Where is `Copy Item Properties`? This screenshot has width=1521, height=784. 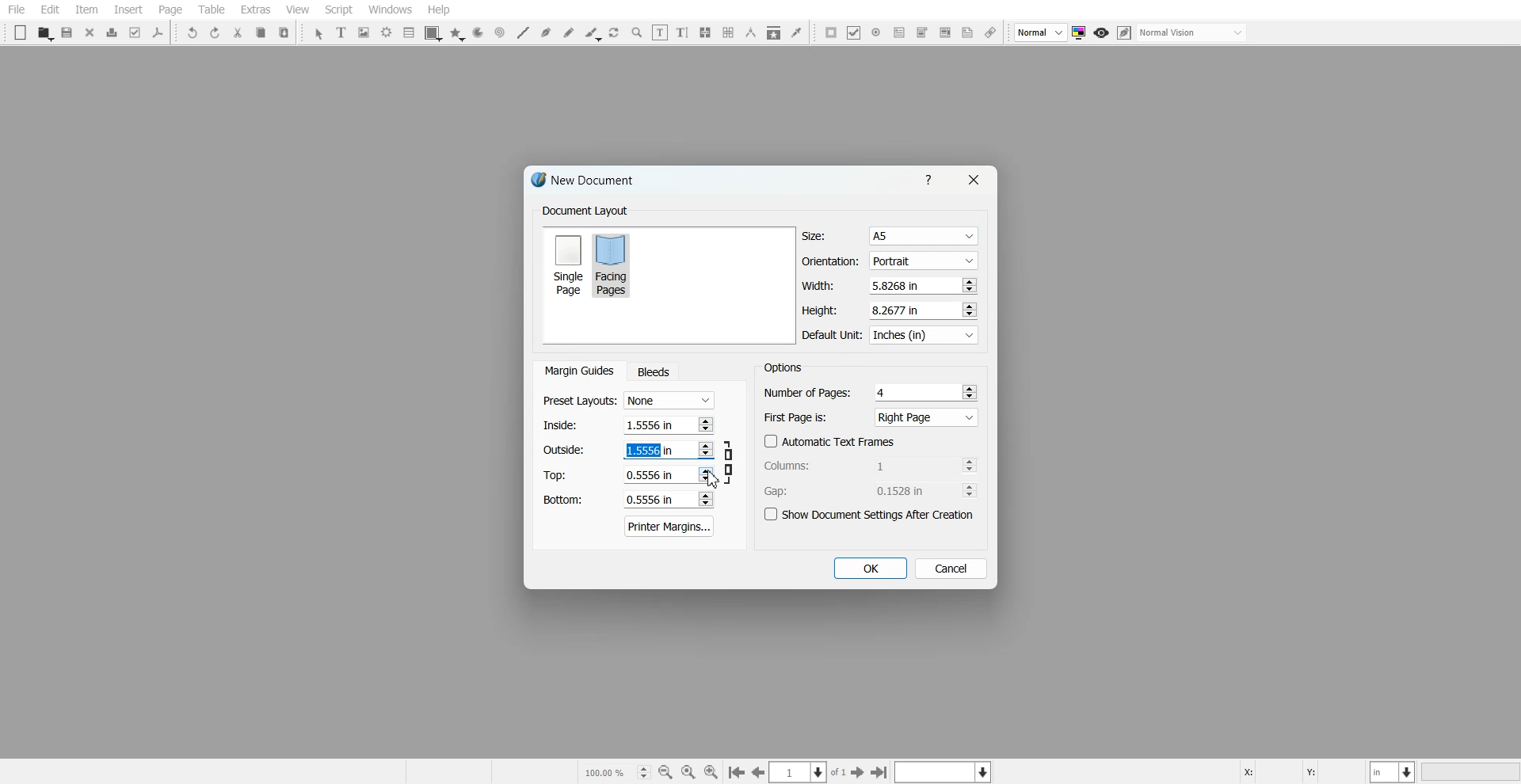
Copy Item Properties is located at coordinates (774, 32).